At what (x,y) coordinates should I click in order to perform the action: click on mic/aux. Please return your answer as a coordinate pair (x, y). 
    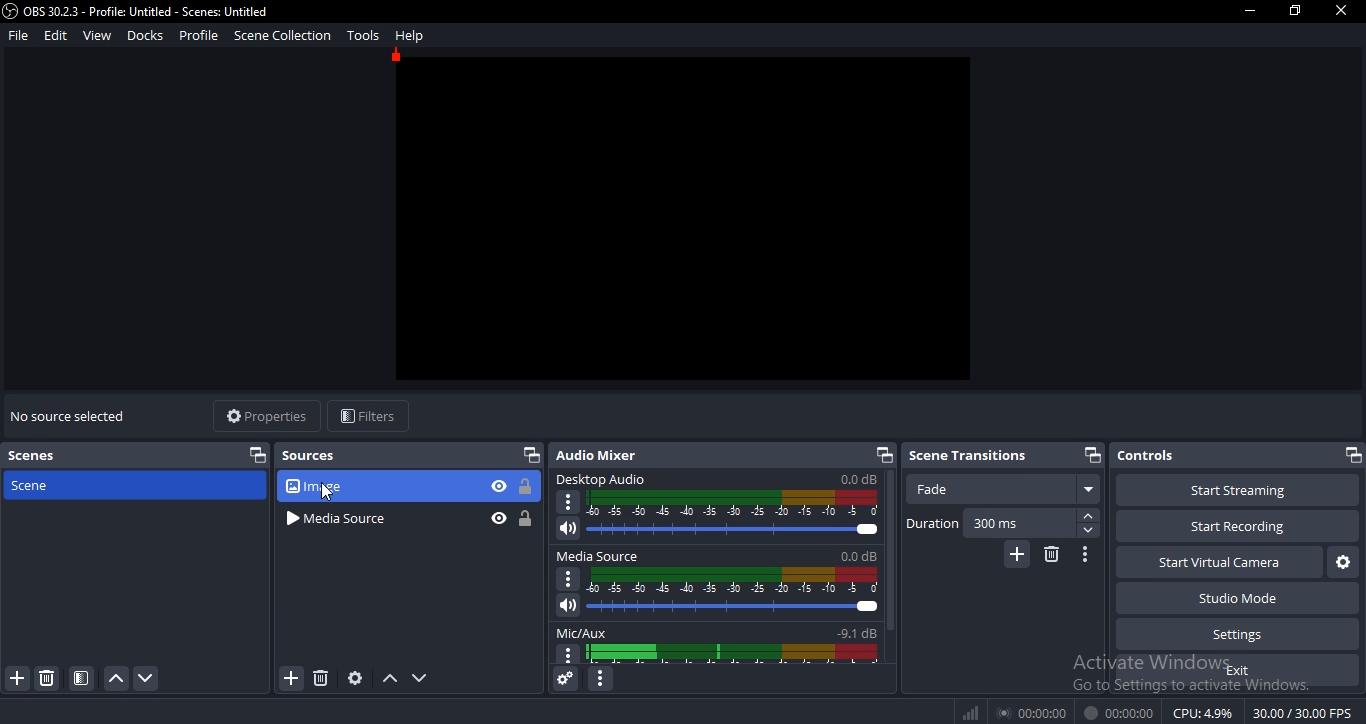
    Looking at the image, I should click on (717, 631).